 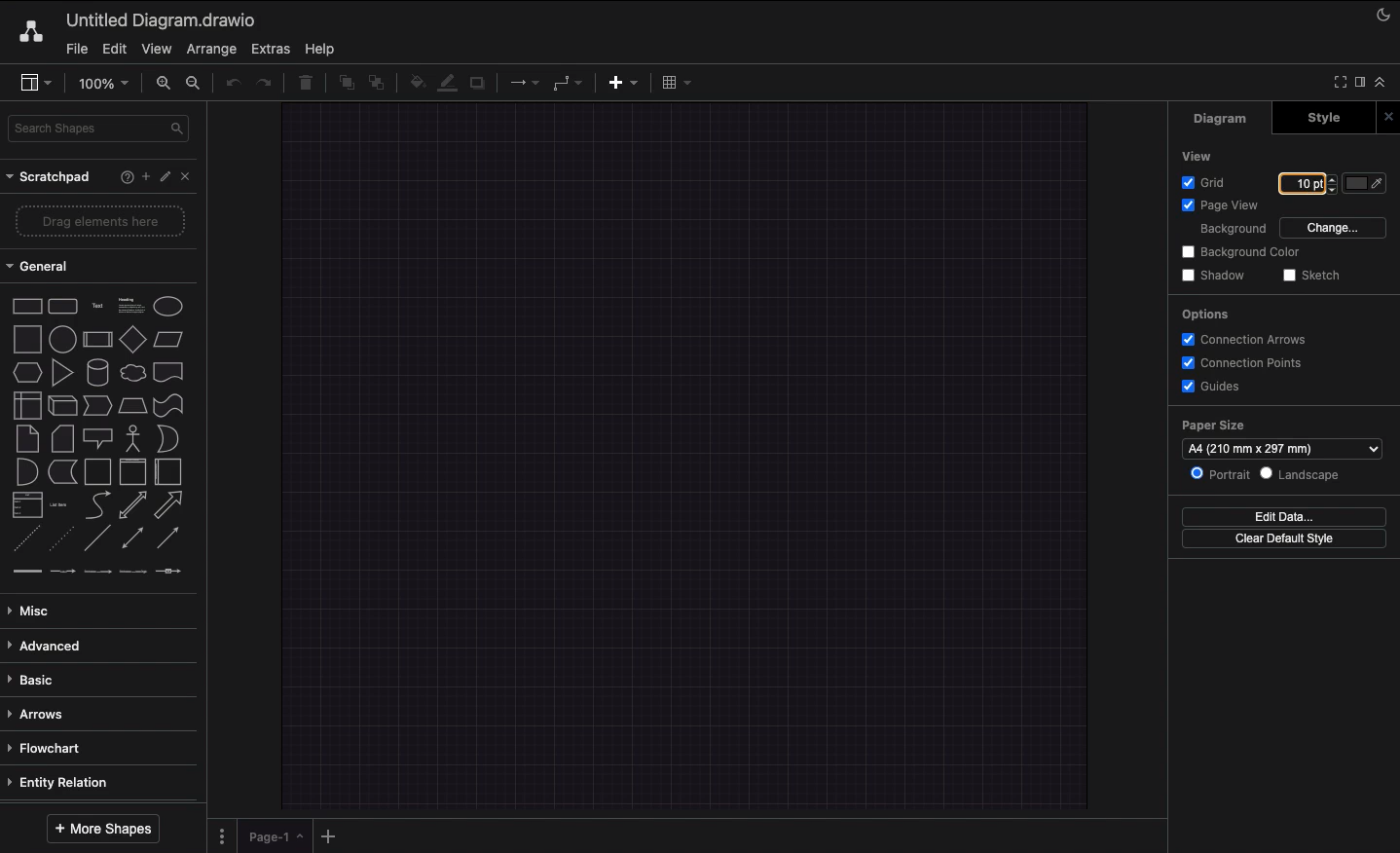 What do you see at coordinates (623, 84) in the screenshot?
I see `Insert` at bounding box center [623, 84].